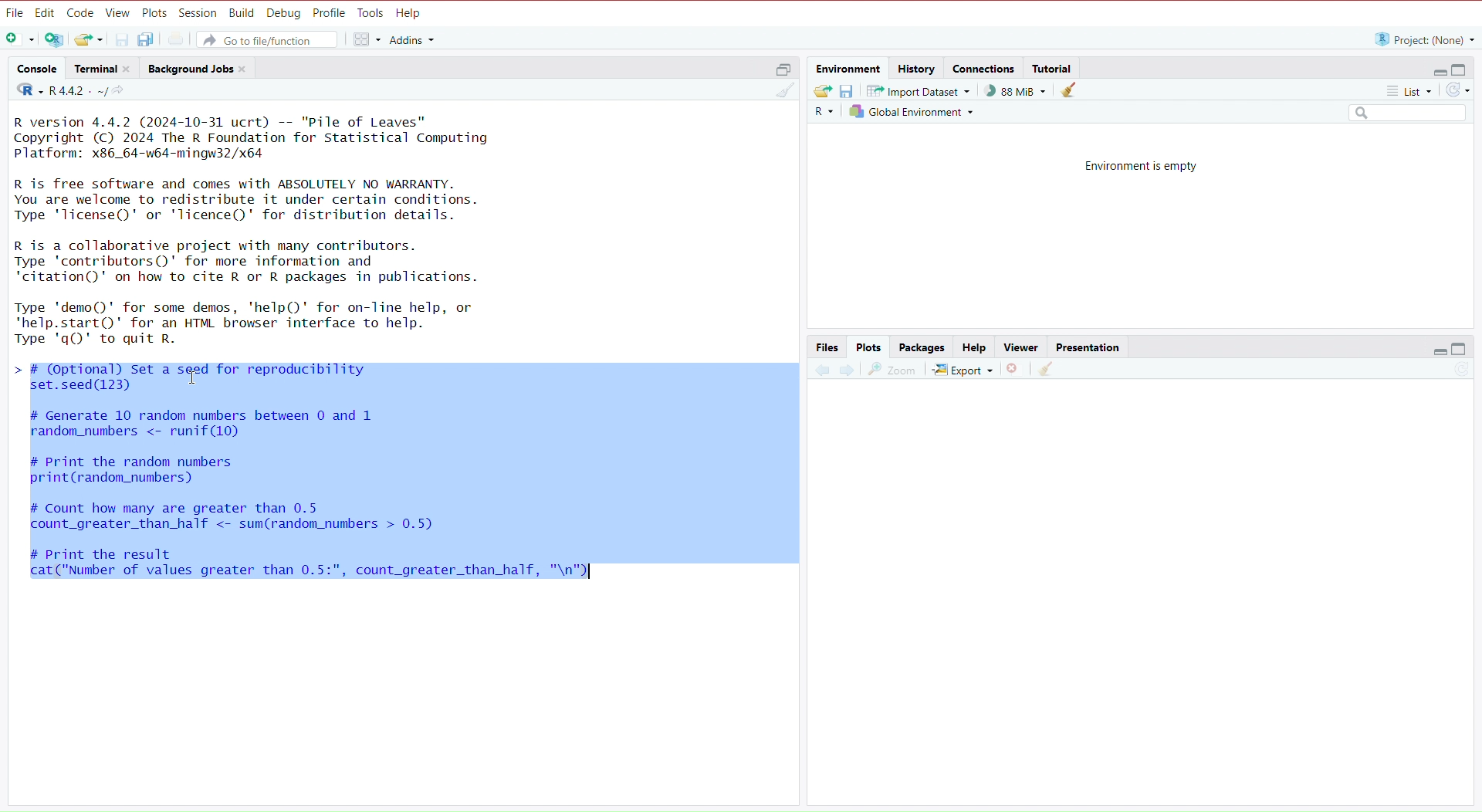 Image resolution: width=1482 pixels, height=812 pixels. Describe the element at coordinates (1409, 89) in the screenshot. I see `List` at that location.